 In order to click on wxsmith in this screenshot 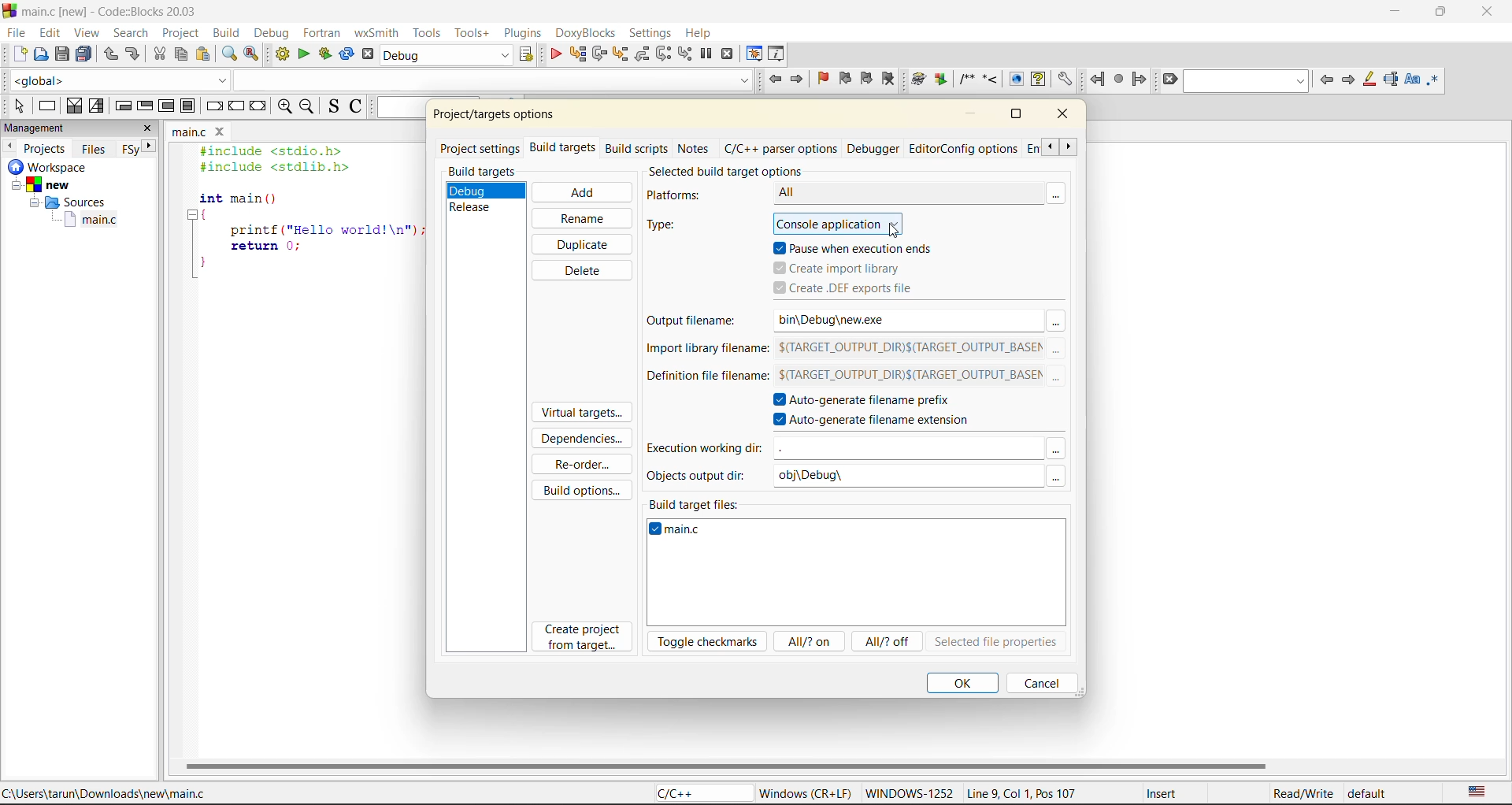, I will do `click(379, 32)`.